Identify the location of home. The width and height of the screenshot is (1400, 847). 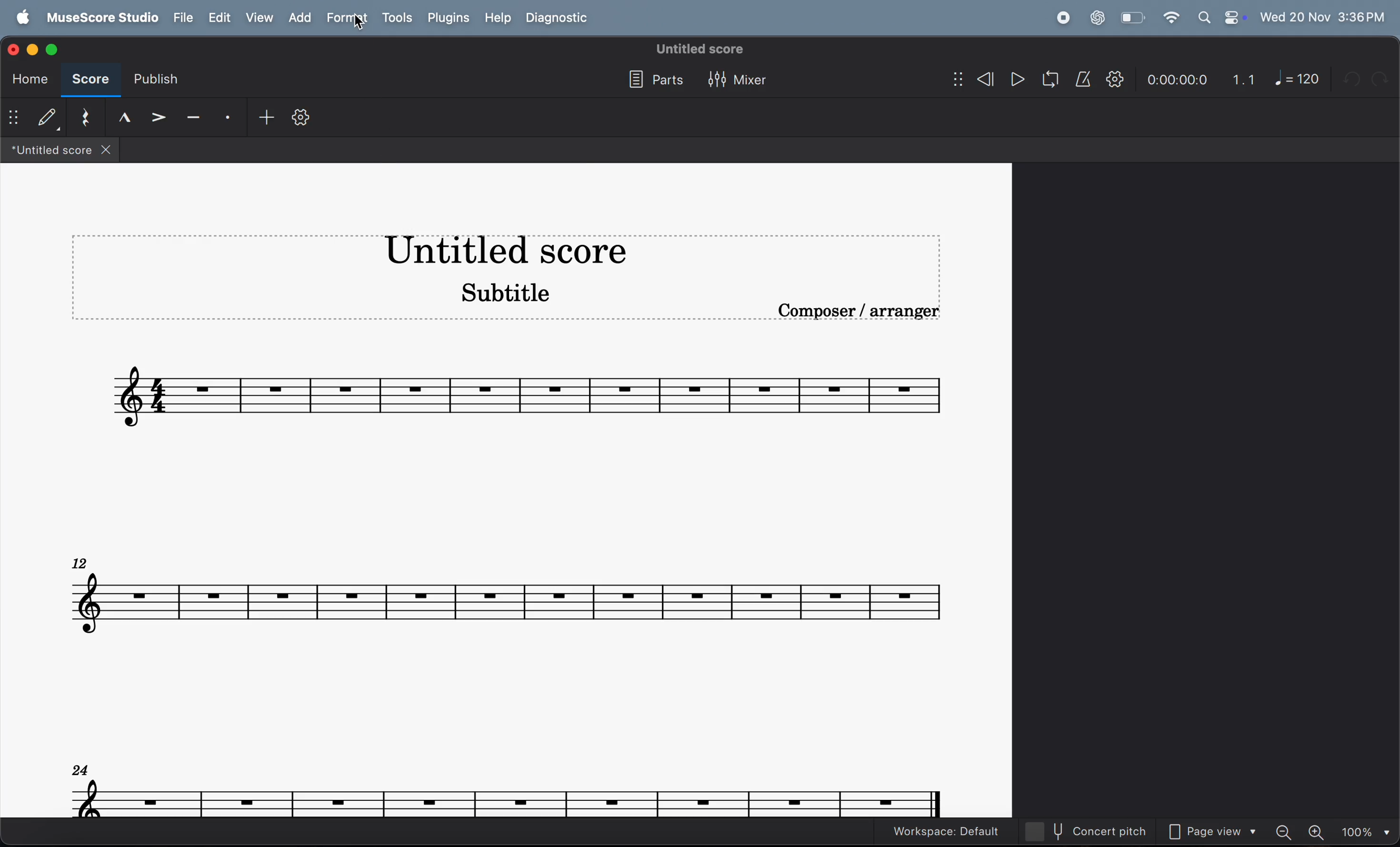
(27, 79).